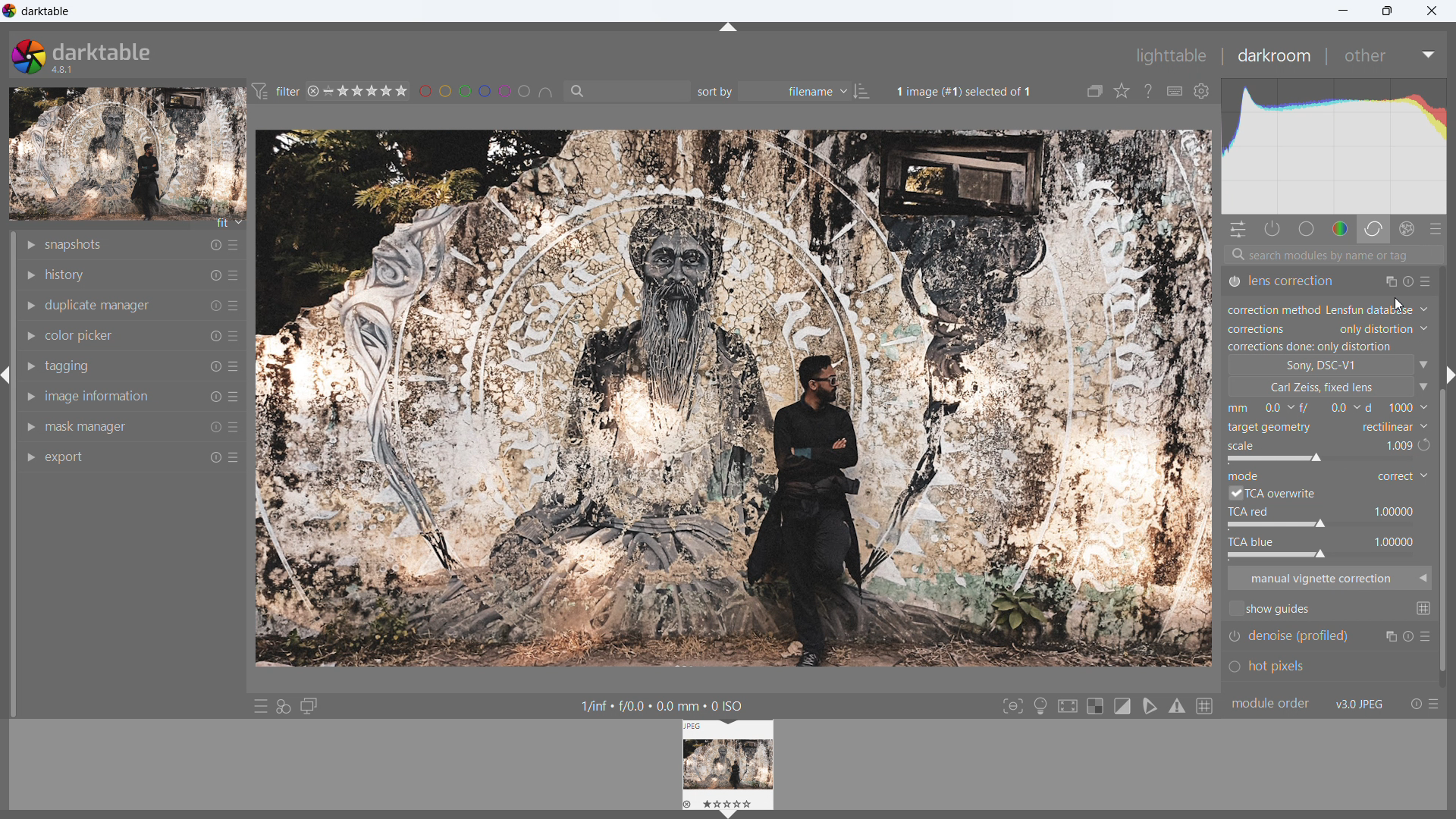  Describe the element at coordinates (1341, 230) in the screenshot. I see `color` at that location.